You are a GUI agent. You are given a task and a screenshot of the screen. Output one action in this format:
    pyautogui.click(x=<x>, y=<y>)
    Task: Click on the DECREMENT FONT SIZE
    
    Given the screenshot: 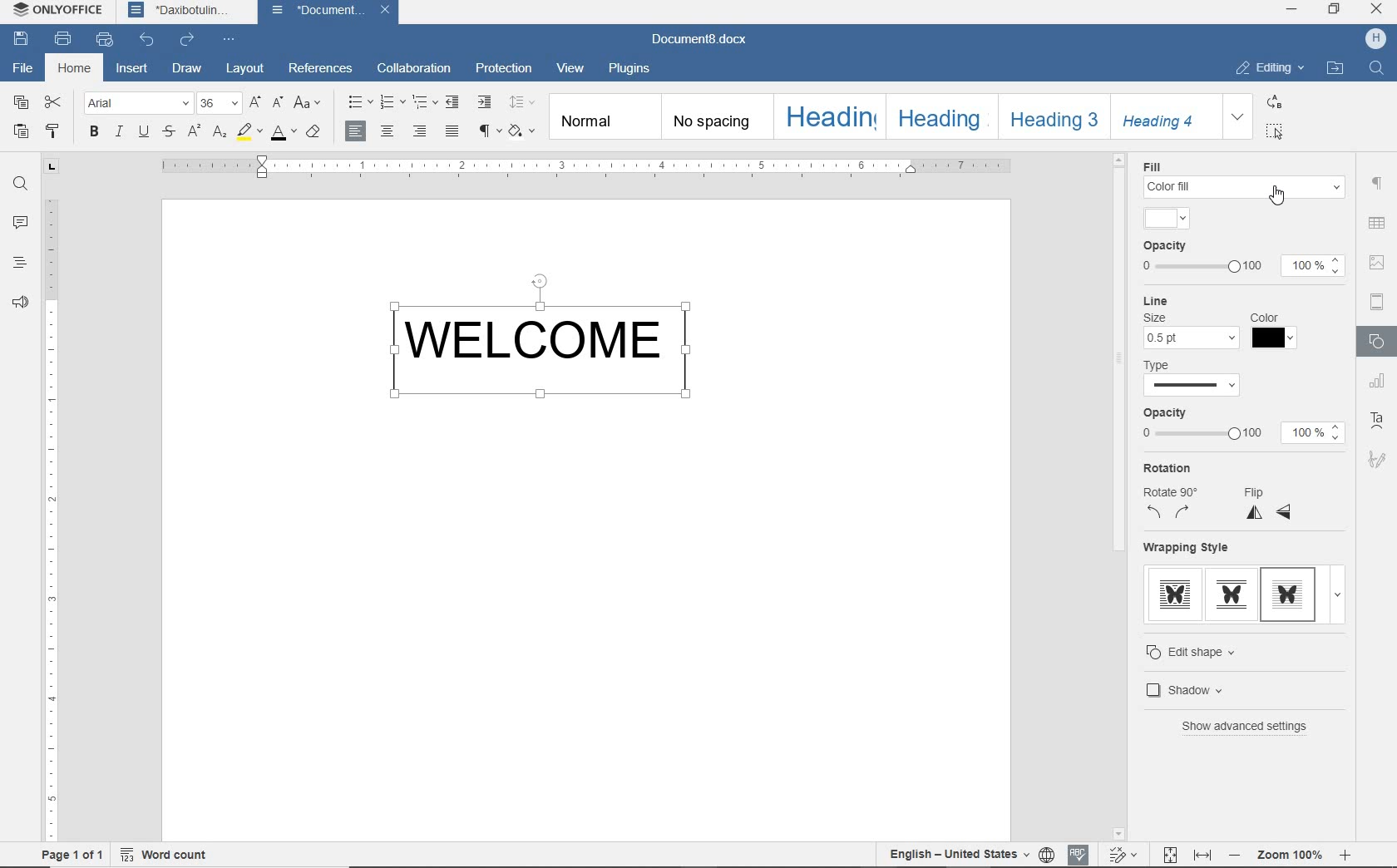 What is the action you would take?
    pyautogui.click(x=279, y=103)
    